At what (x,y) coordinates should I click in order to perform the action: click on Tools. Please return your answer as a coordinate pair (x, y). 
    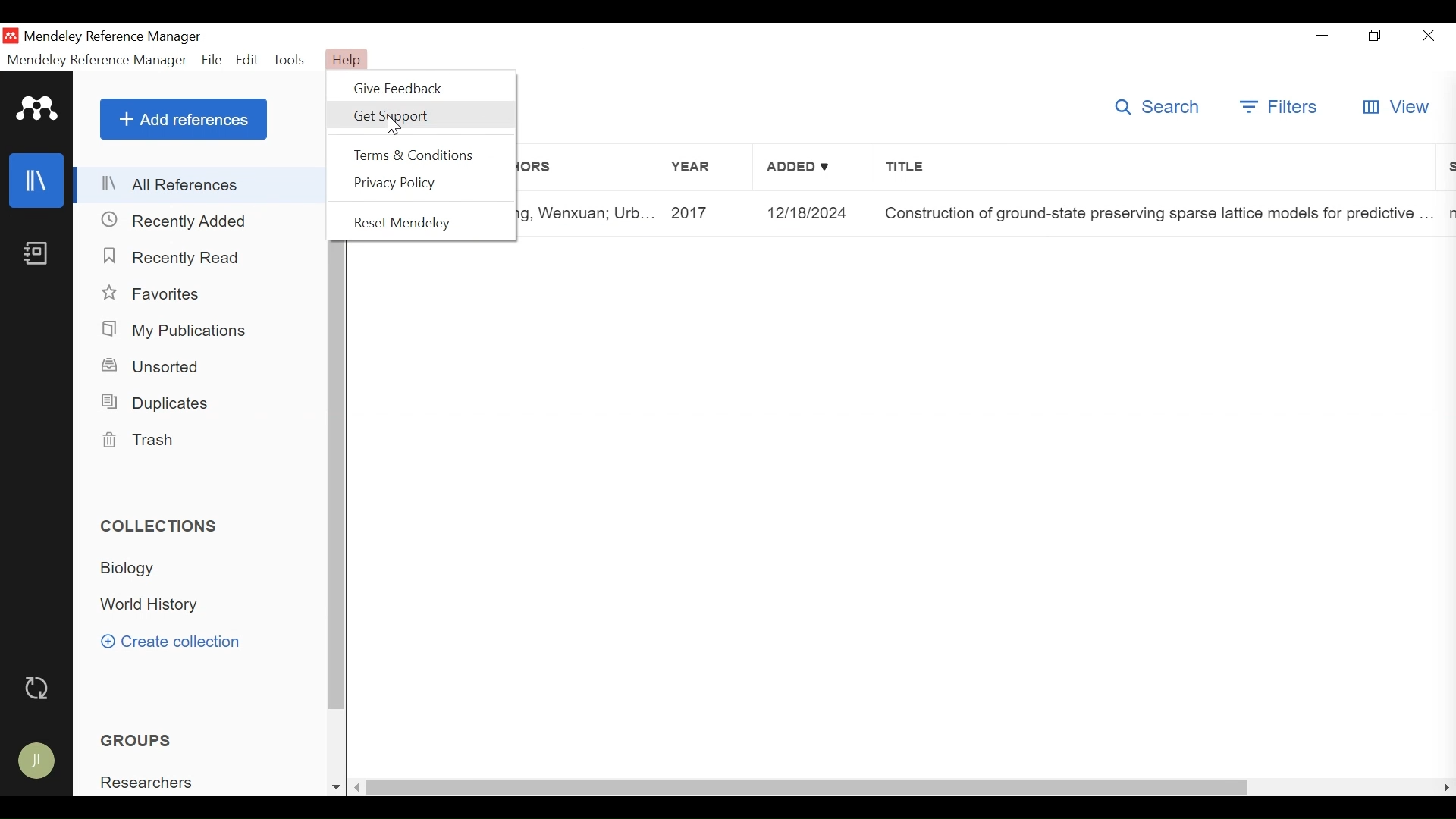
    Looking at the image, I should click on (290, 58).